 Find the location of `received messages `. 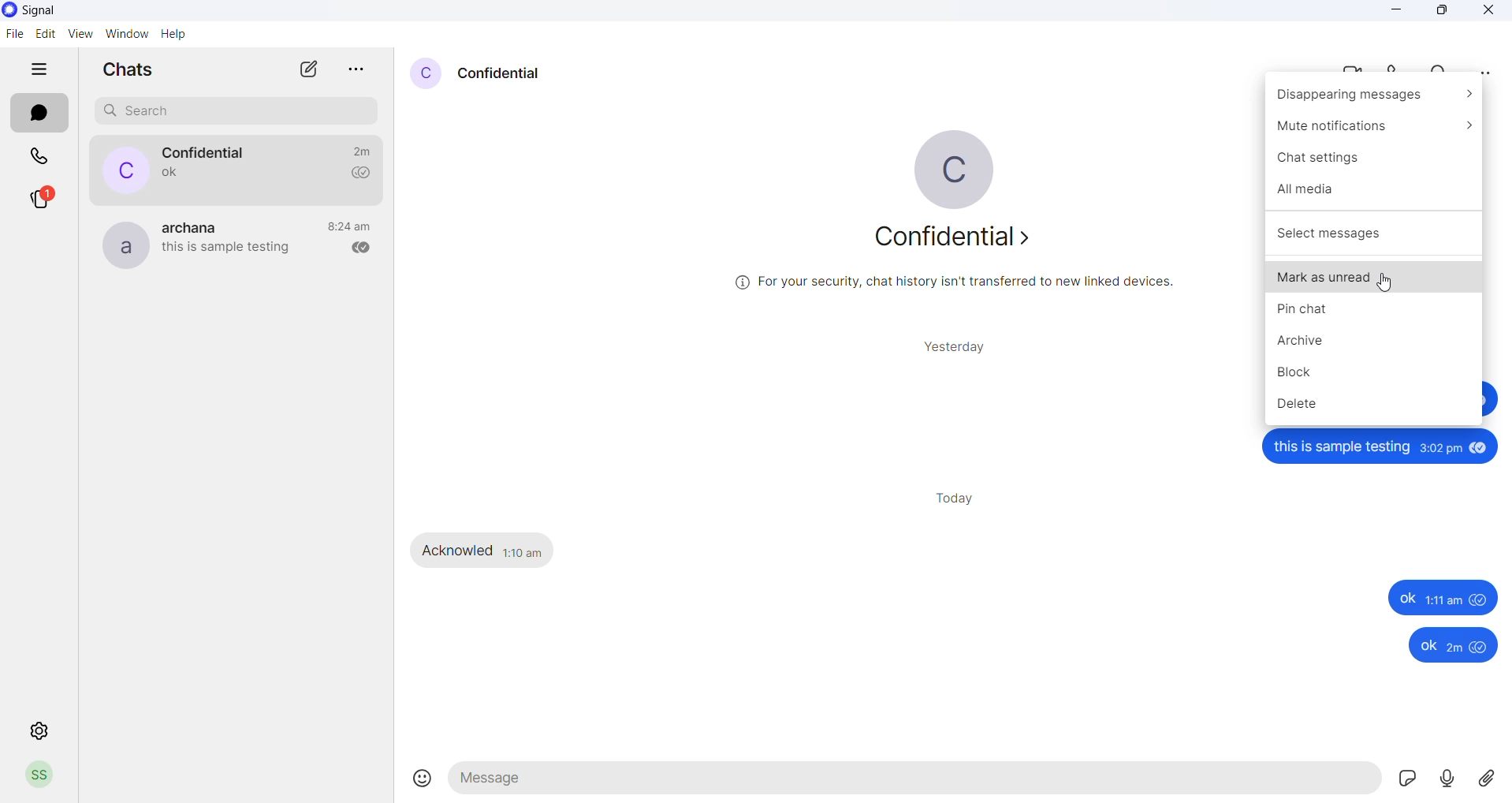

received messages  is located at coordinates (487, 551).